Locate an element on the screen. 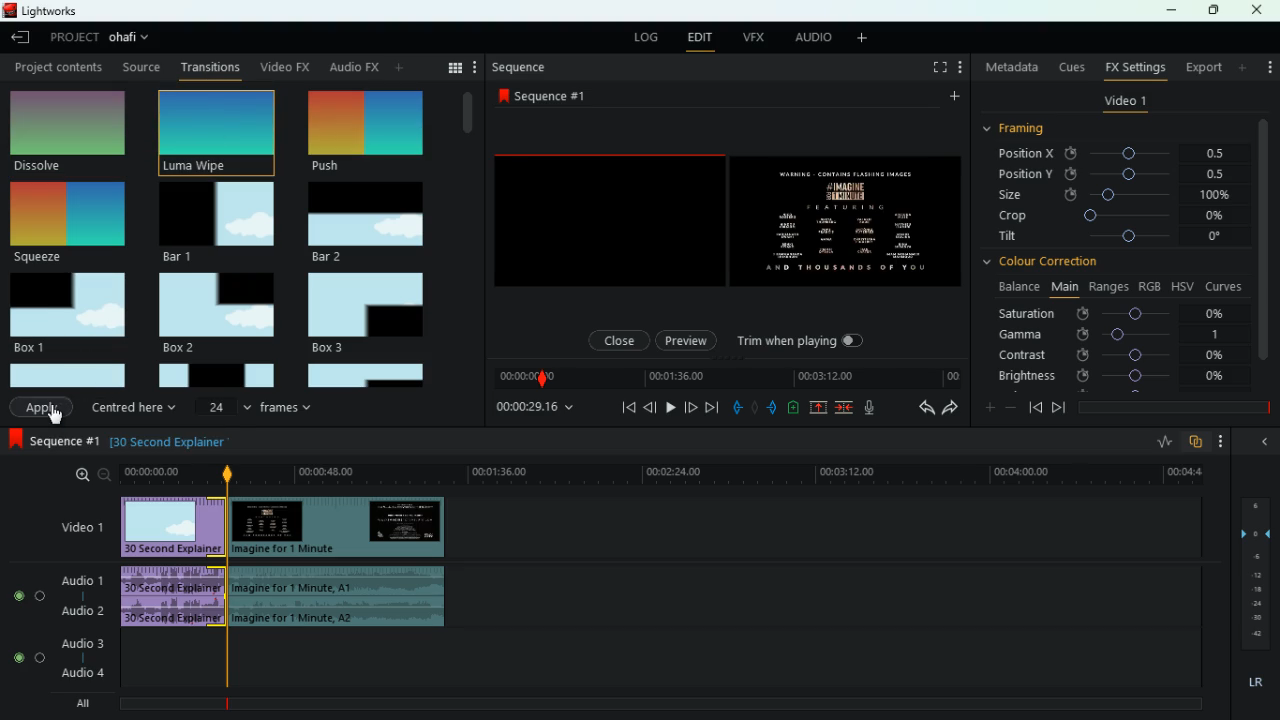  video is located at coordinates (171, 526).